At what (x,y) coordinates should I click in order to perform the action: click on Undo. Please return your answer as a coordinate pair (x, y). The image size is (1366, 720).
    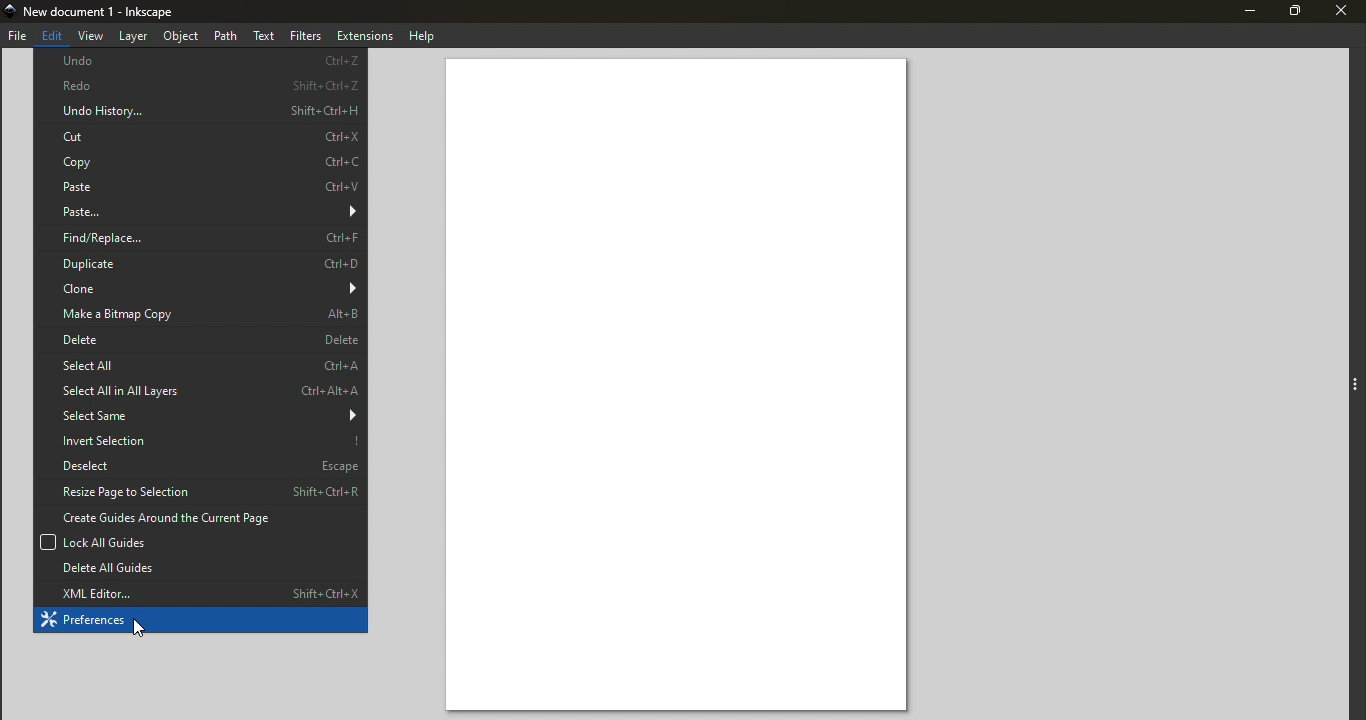
    Looking at the image, I should click on (201, 62).